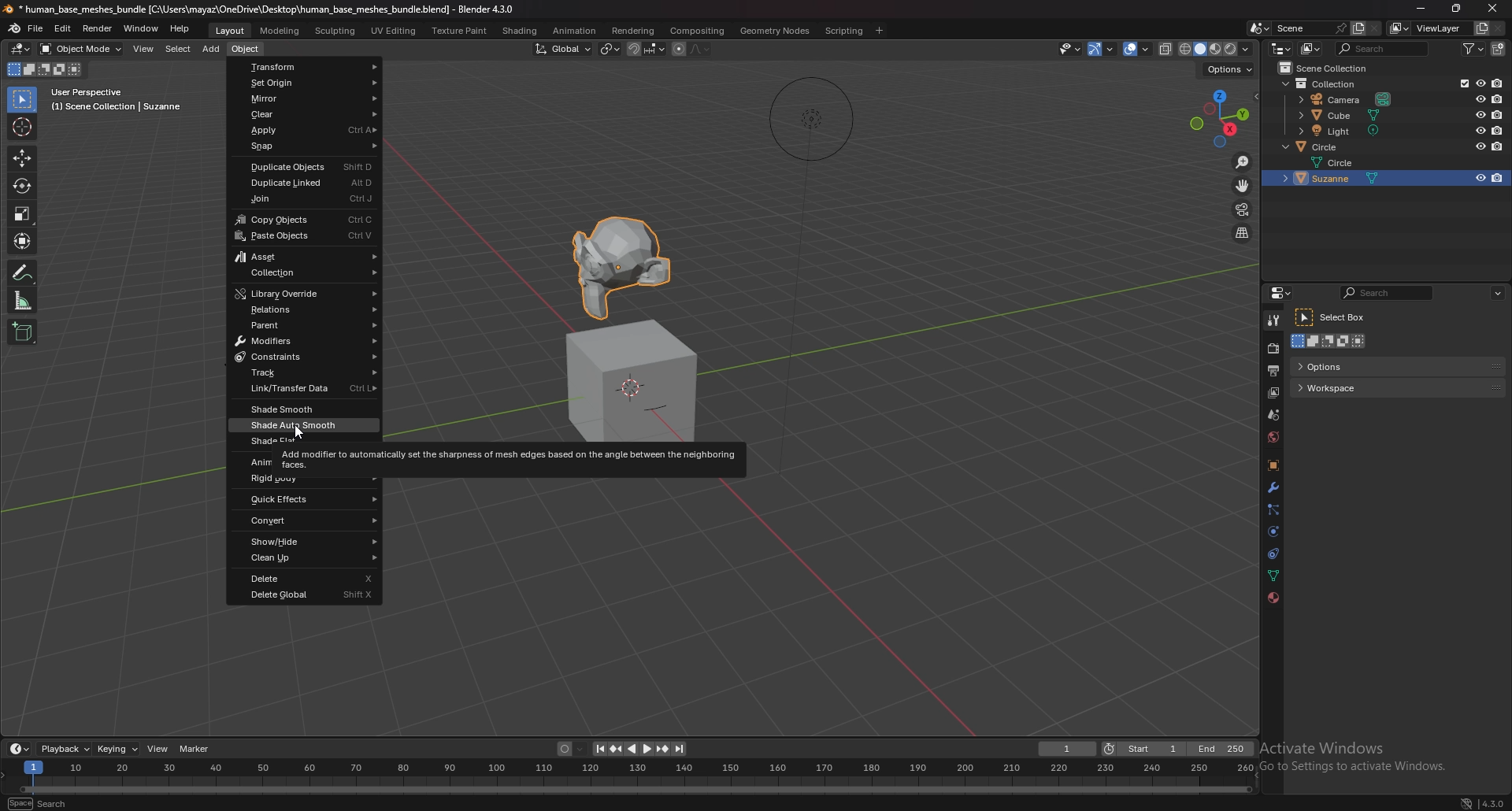 The height and width of the screenshot is (811, 1512). What do you see at coordinates (1340, 115) in the screenshot?
I see `cube` at bounding box center [1340, 115].